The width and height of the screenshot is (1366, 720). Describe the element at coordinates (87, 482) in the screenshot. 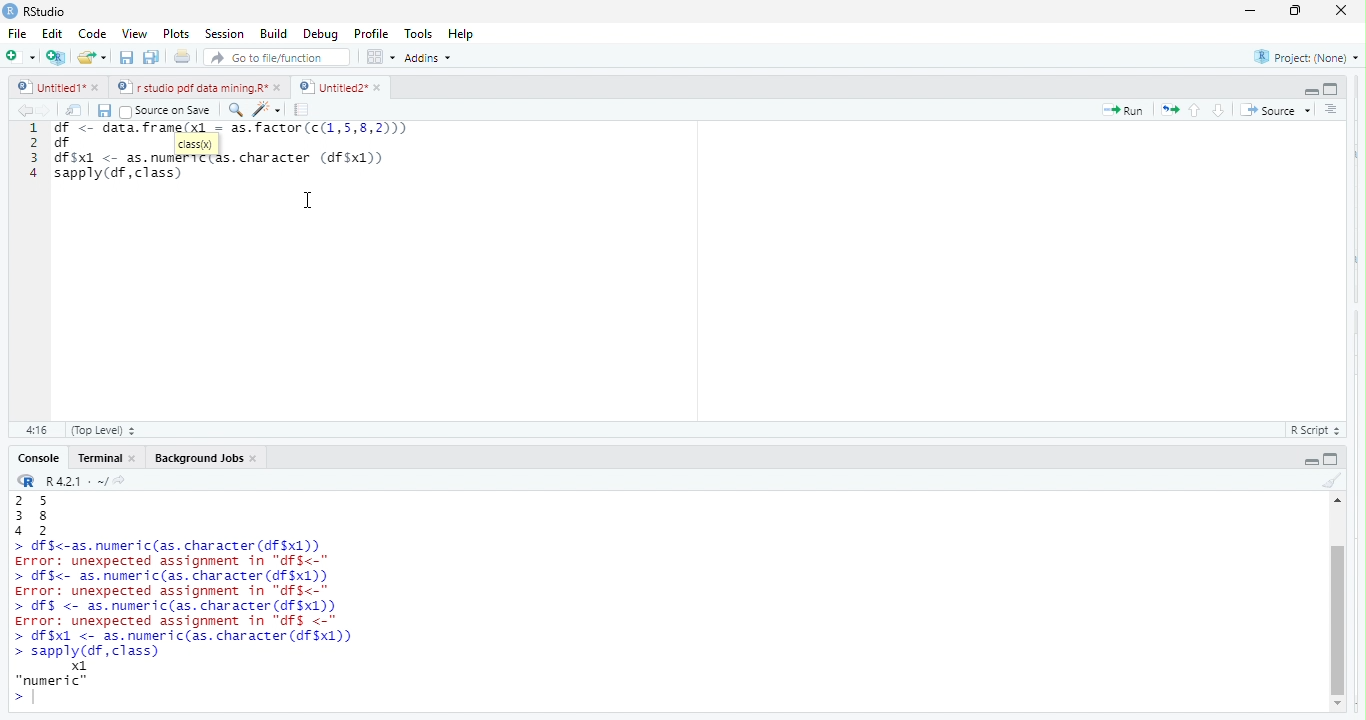

I see `R421: ~/` at that location.